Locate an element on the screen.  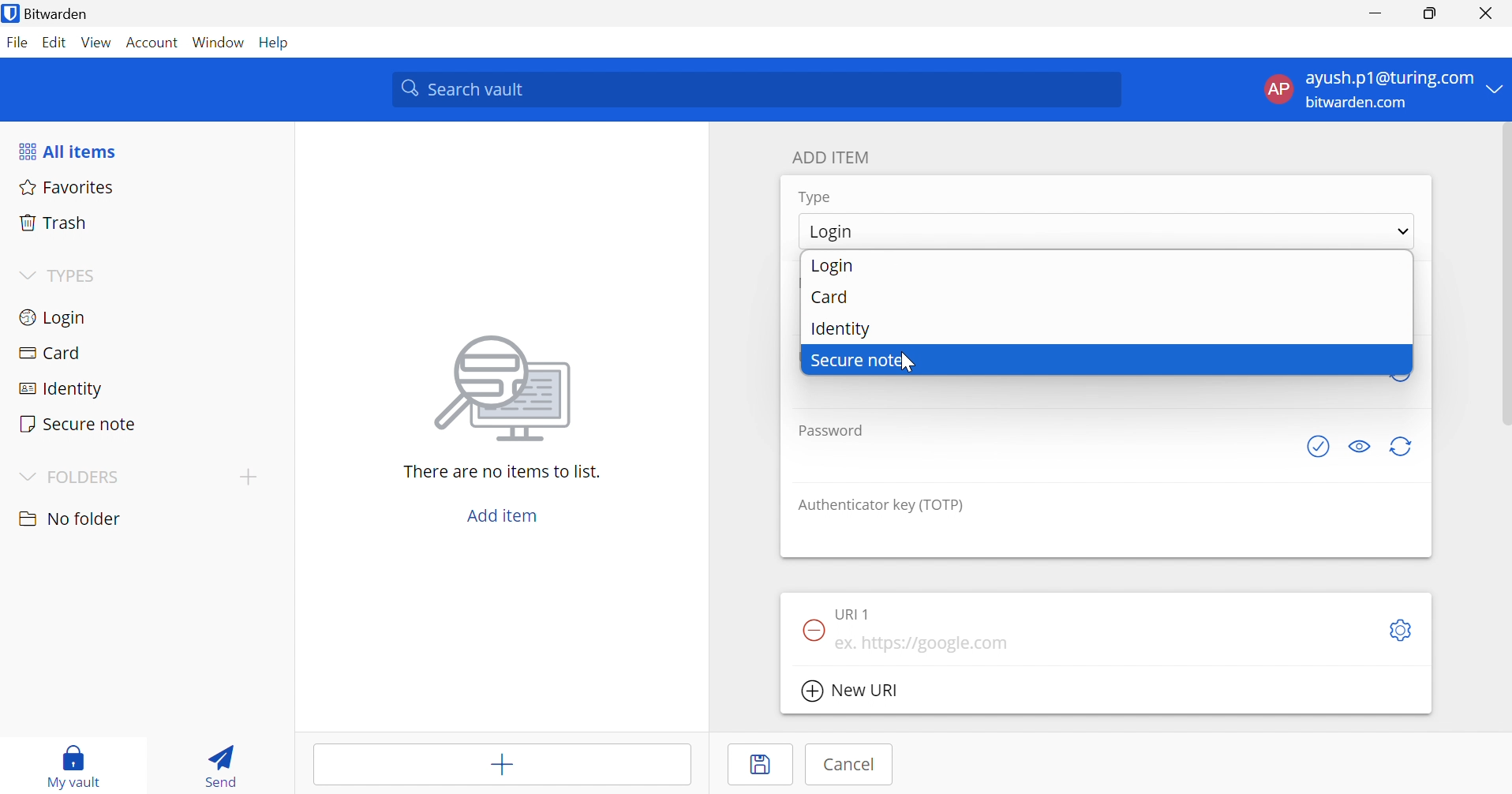
Add item is located at coordinates (501, 516).